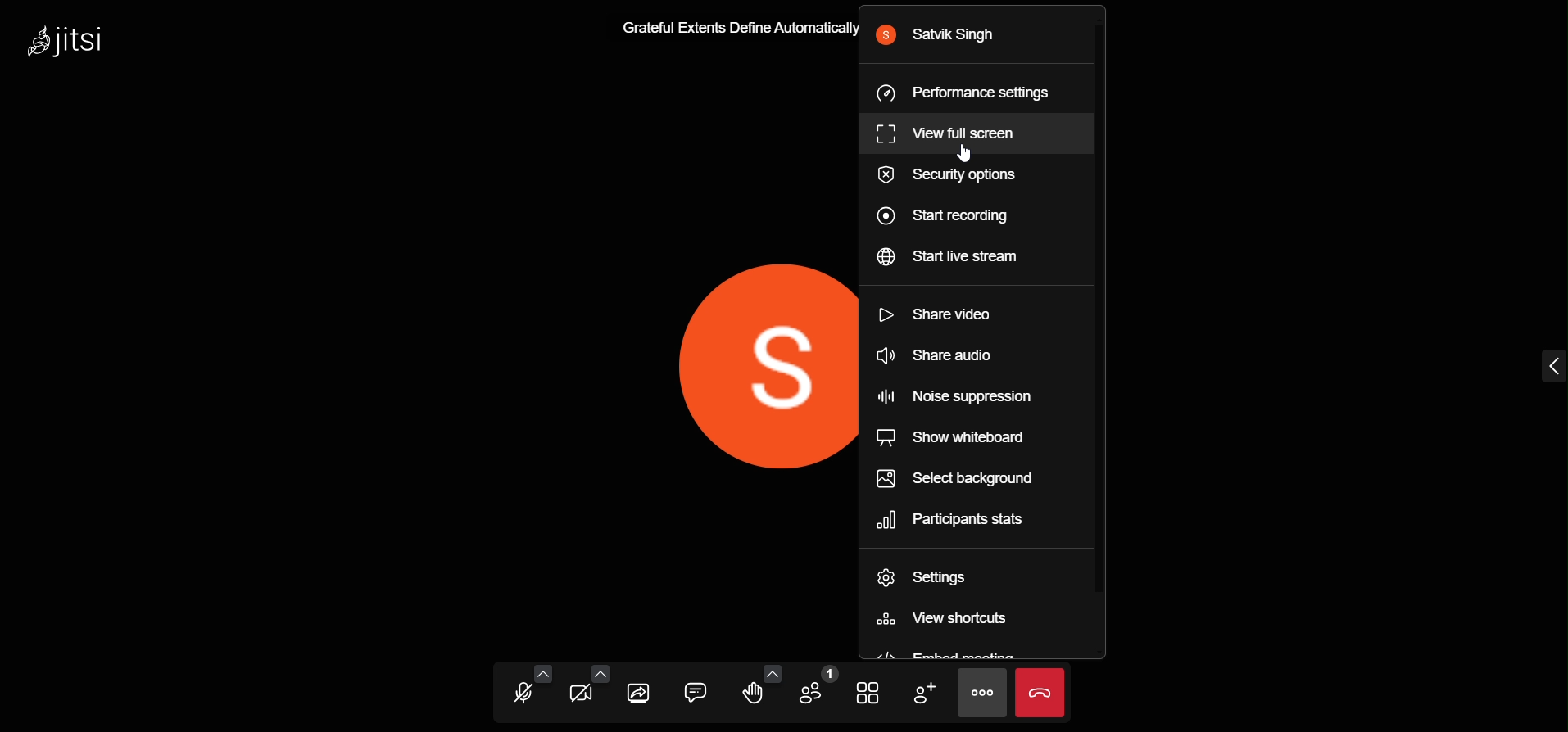  Describe the element at coordinates (963, 522) in the screenshot. I see `participants stats` at that location.